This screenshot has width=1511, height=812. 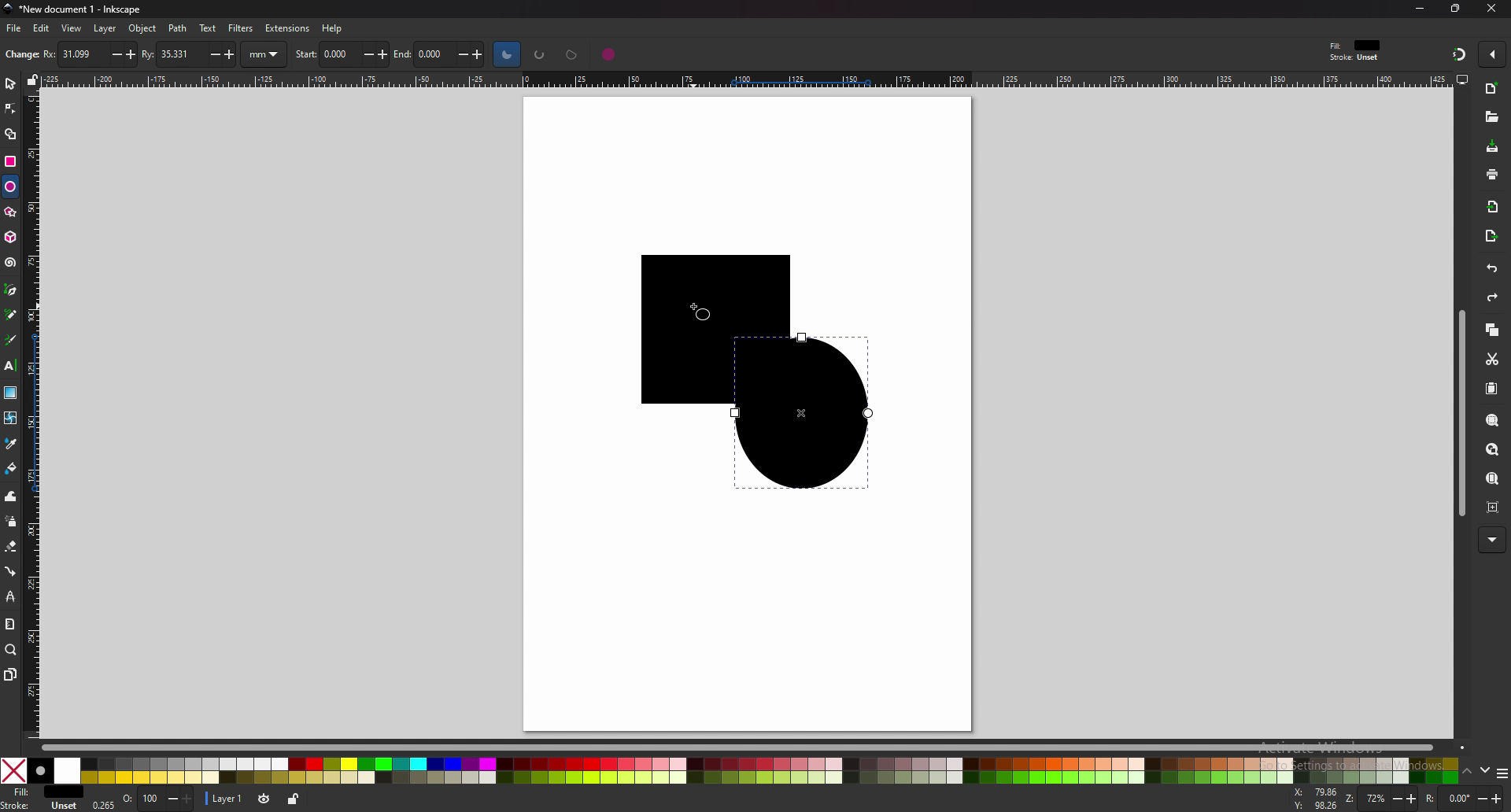 I want to click on paint bucket, so click(x=12, y=469).